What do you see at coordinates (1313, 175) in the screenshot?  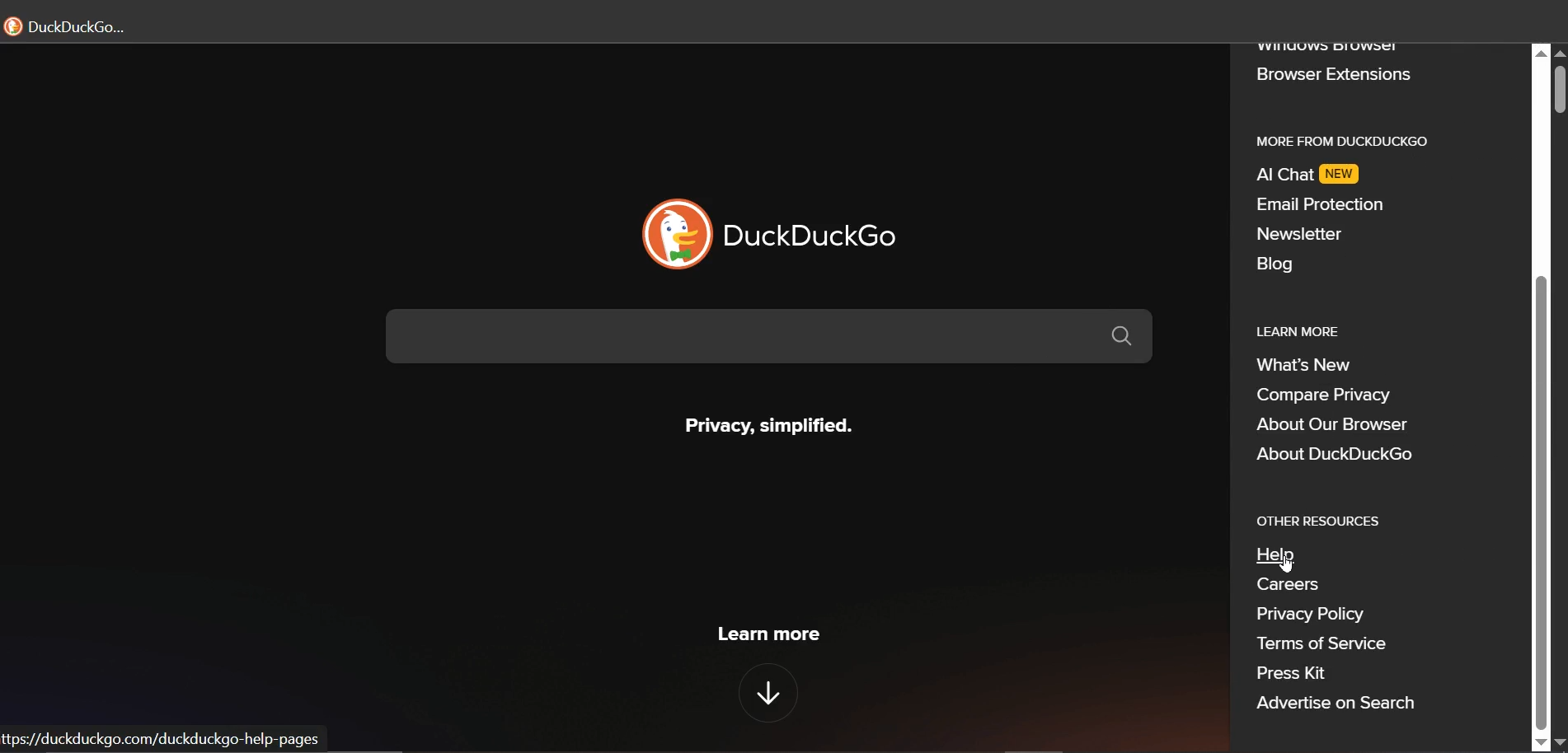 I see `AI Chat New` at bounding box center [1313, 175].